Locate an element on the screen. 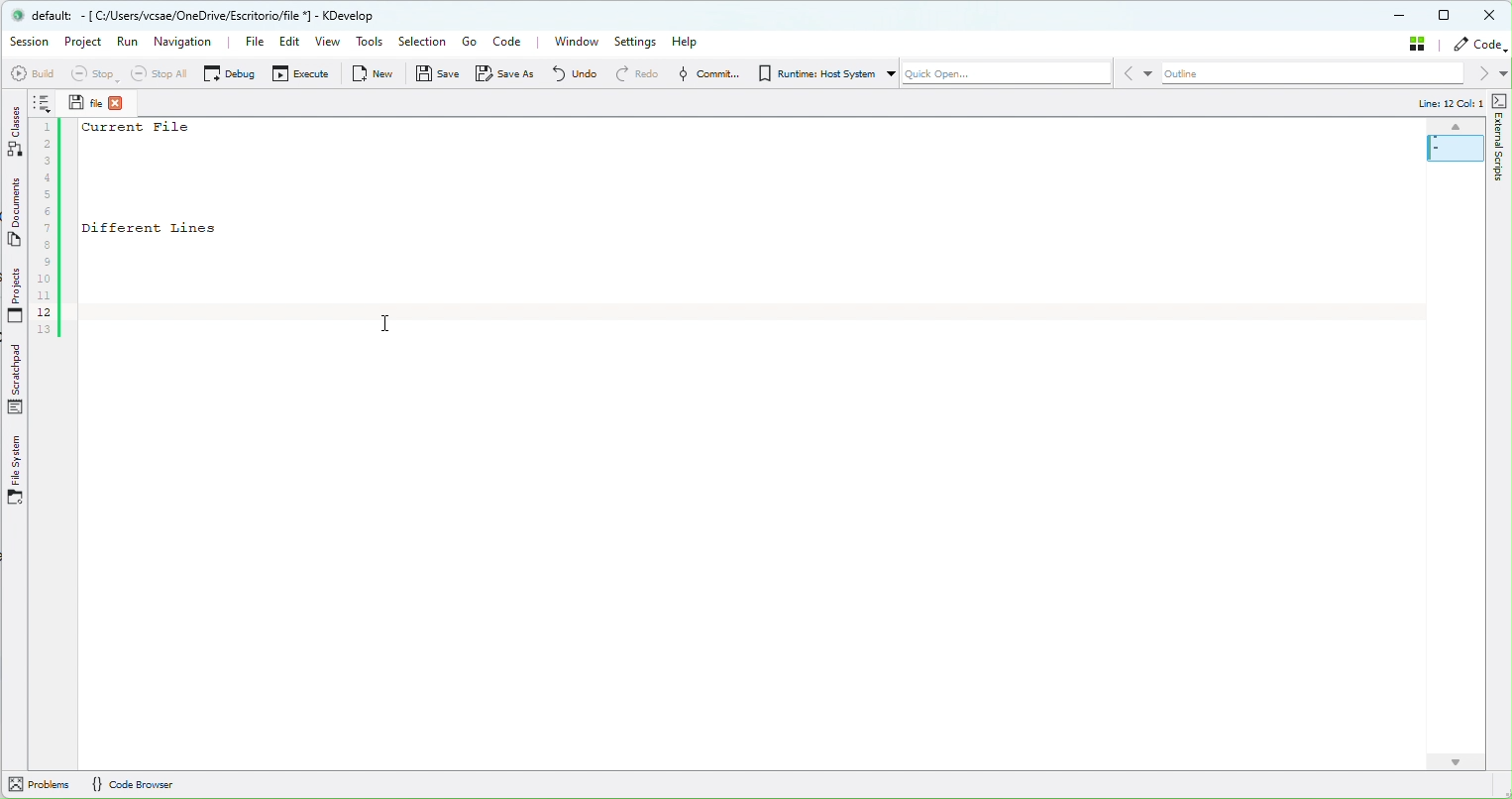 Image resolution: width=1512 pixels, height=799 pixels. Line: 12 Col: 1 is located at coordinates (1449, 104).